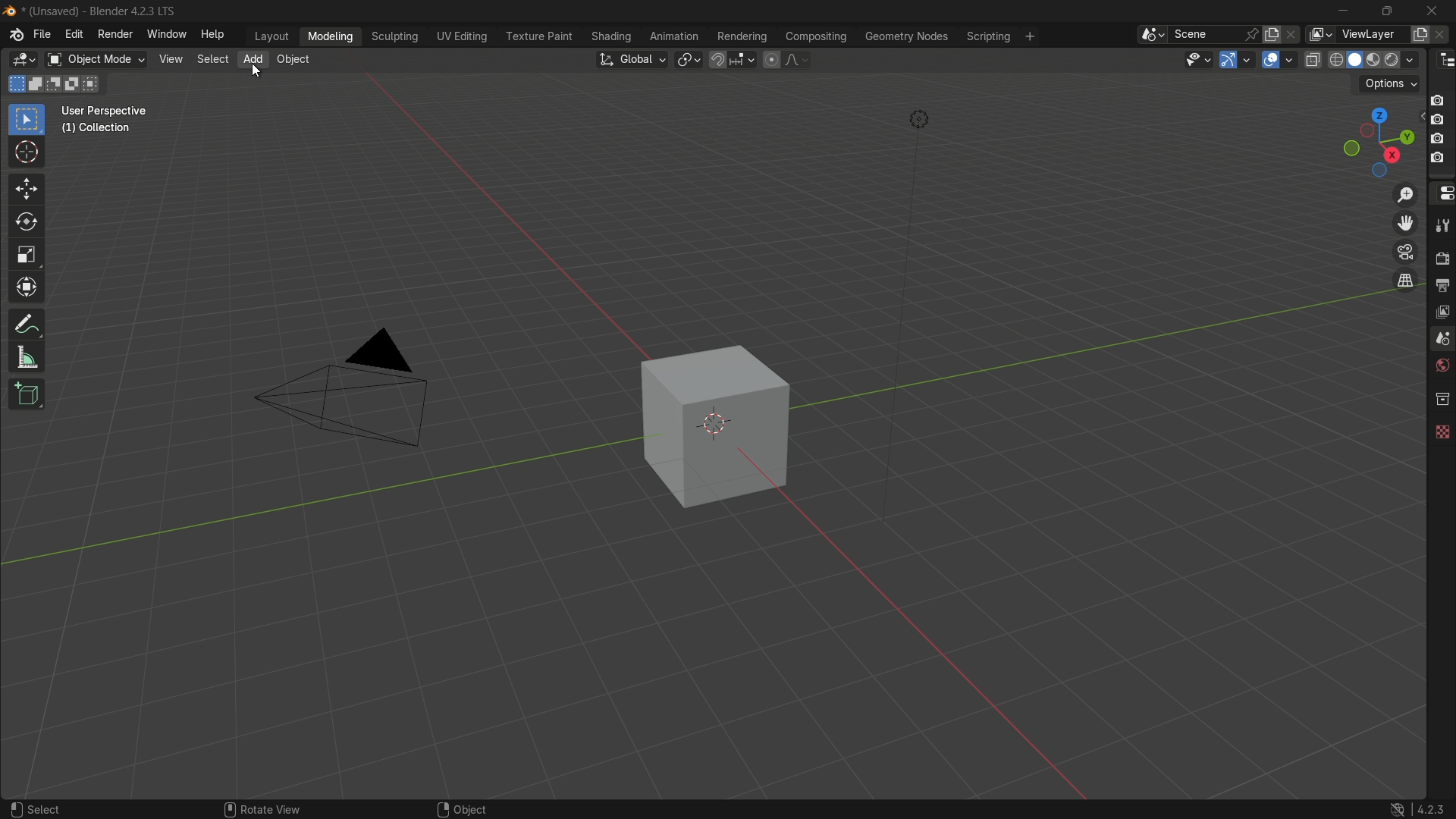 The height and width of the screenshot is (819, 1456). I want to click on geometry nodes menu, so click(907, 36).